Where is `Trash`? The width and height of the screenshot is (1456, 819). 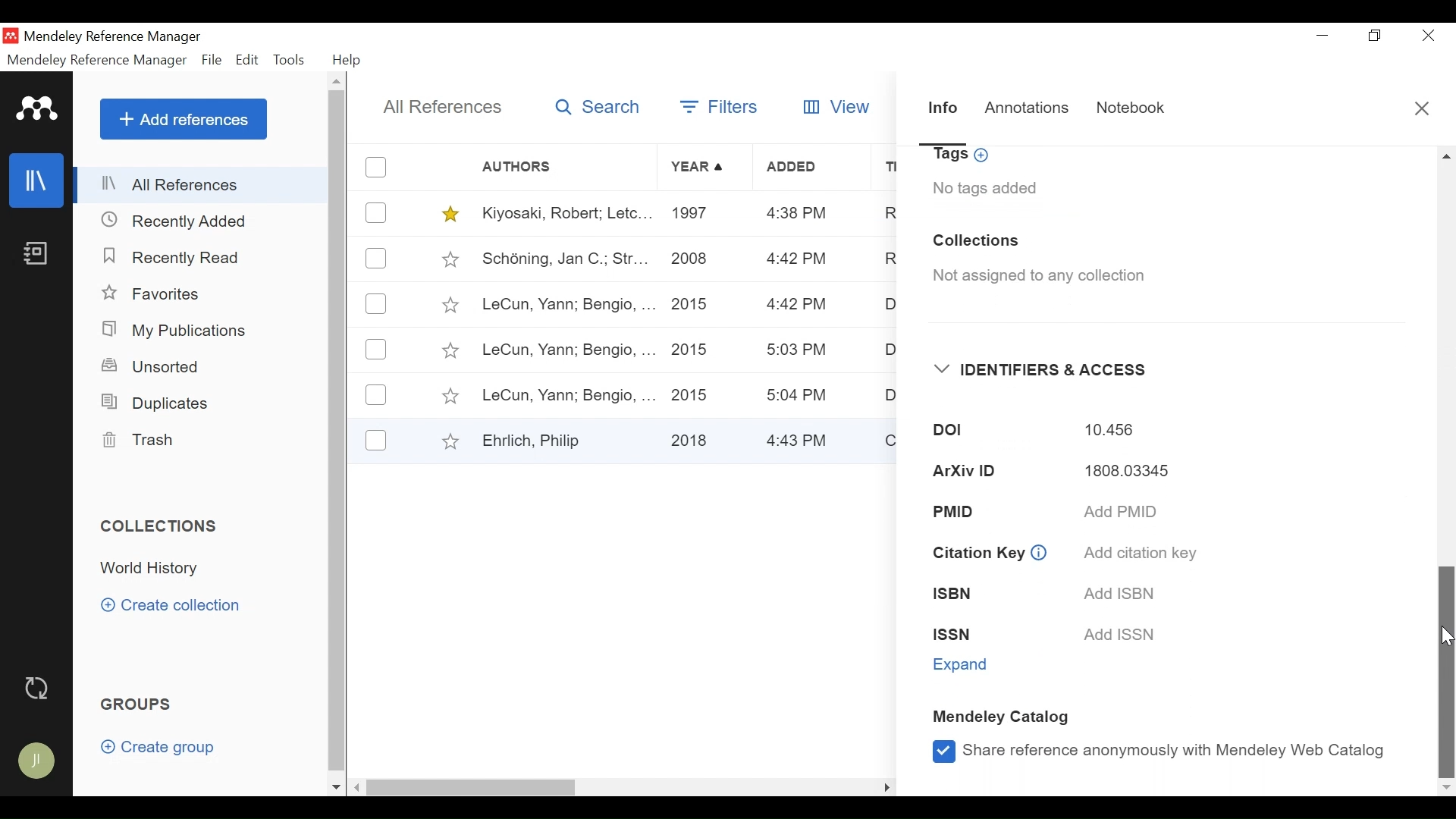 Trash is located at coordinates (142, 441).